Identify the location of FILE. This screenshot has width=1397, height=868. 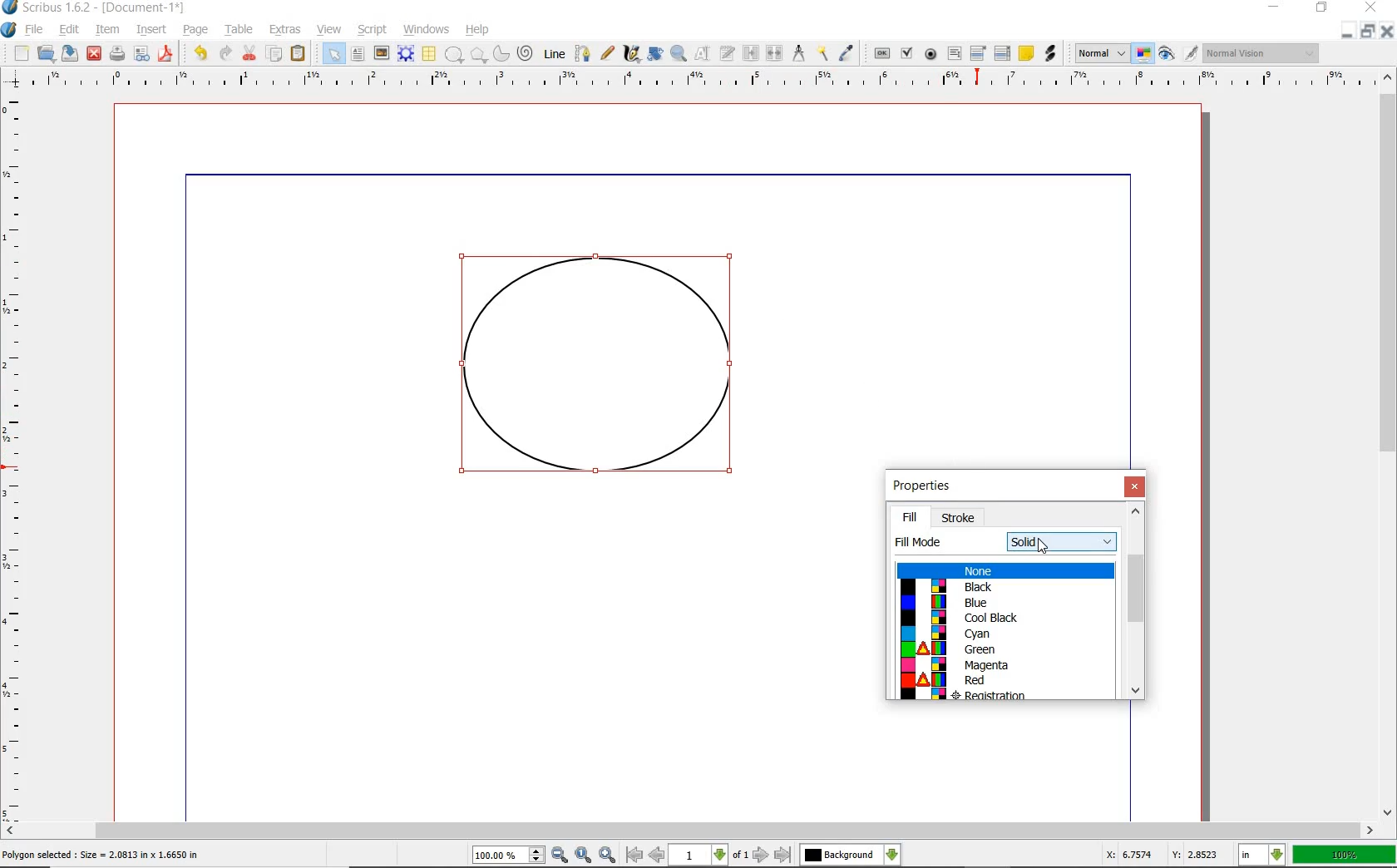
(36, 29).